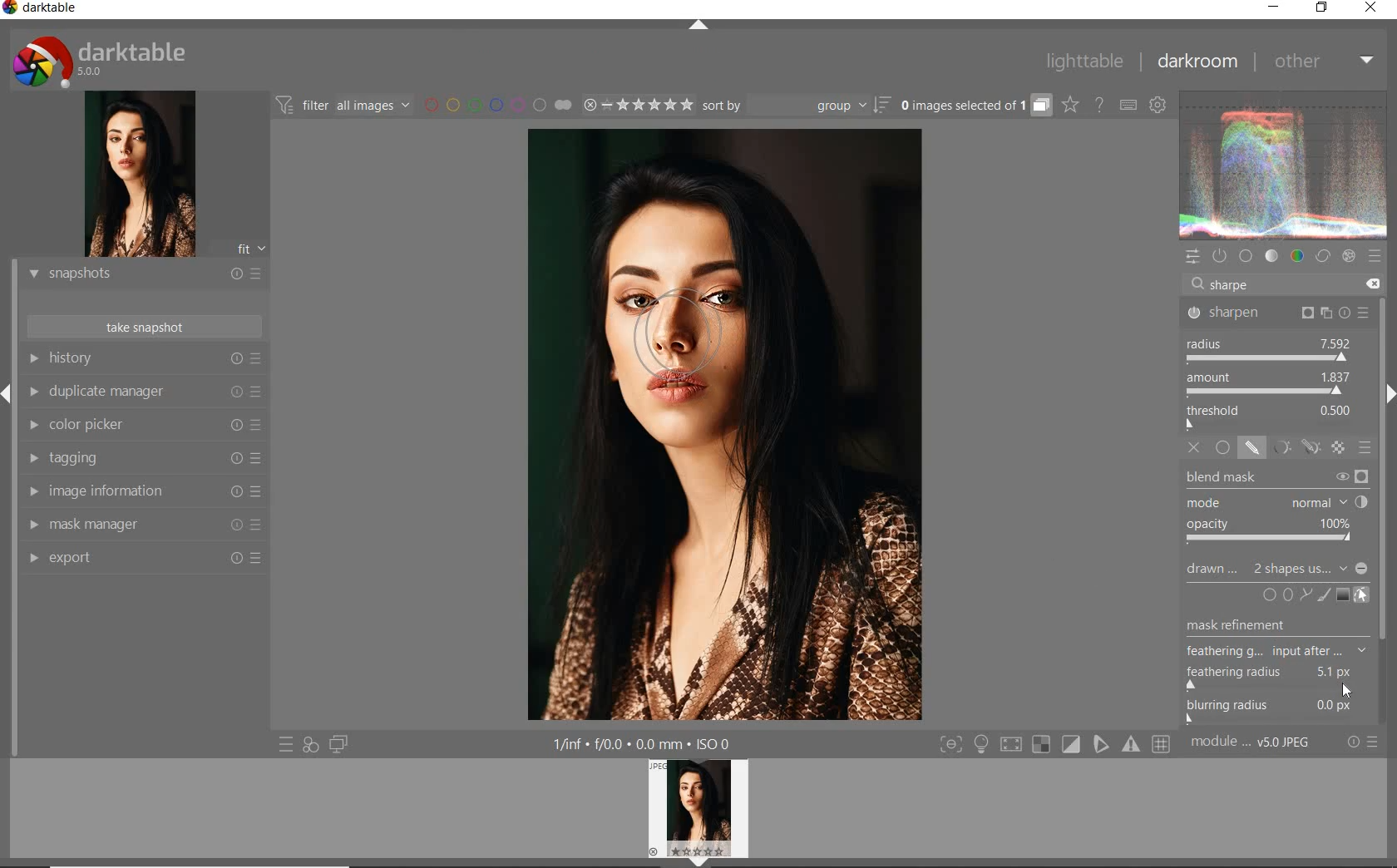 This screenshot has height=868, width=1397. Describe the element at coordinates (1195, 447) in the screenshot. I see `OFF` at that location.